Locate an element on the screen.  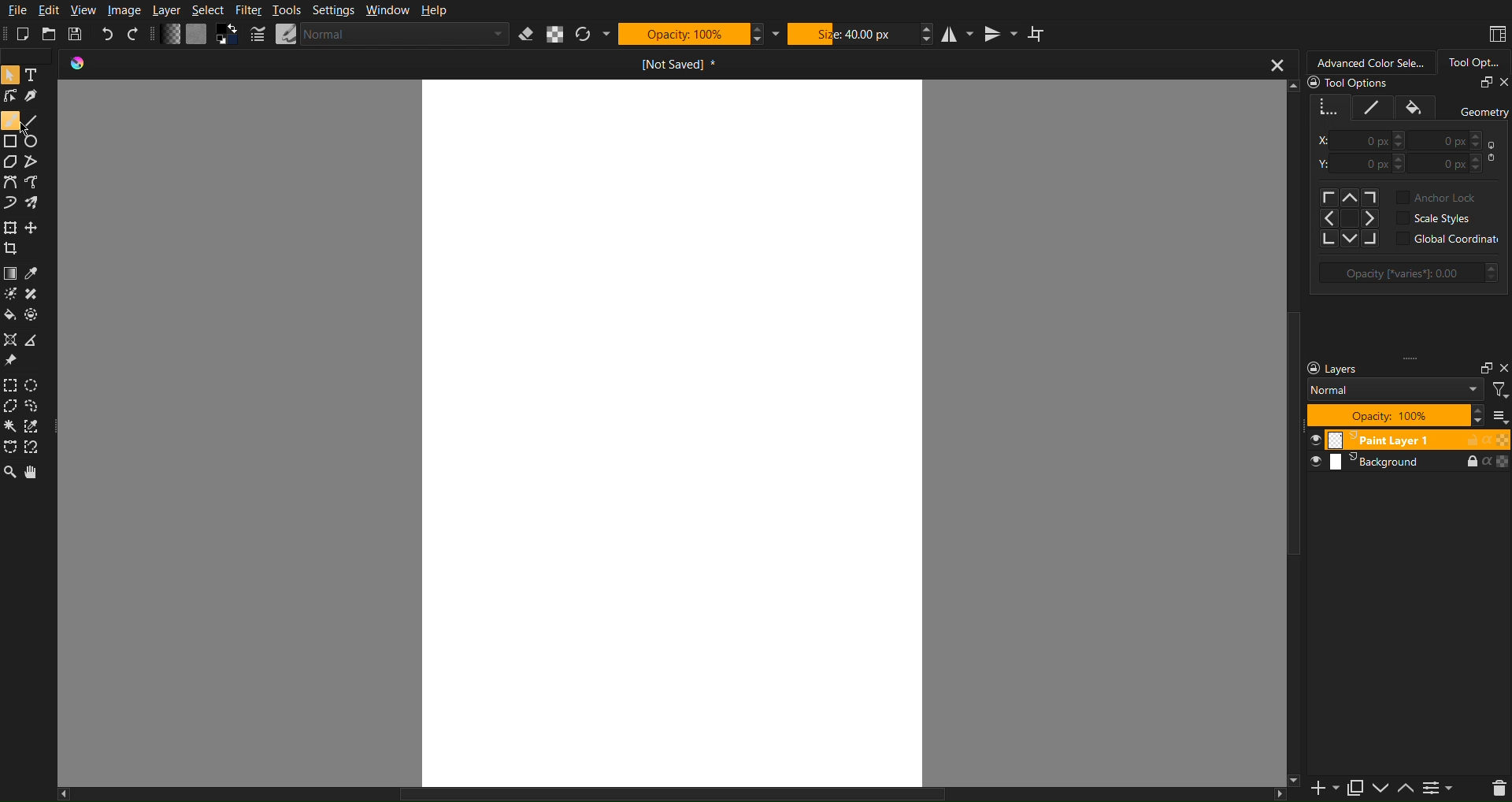
Opacity is located at coordinates (1409, 273).